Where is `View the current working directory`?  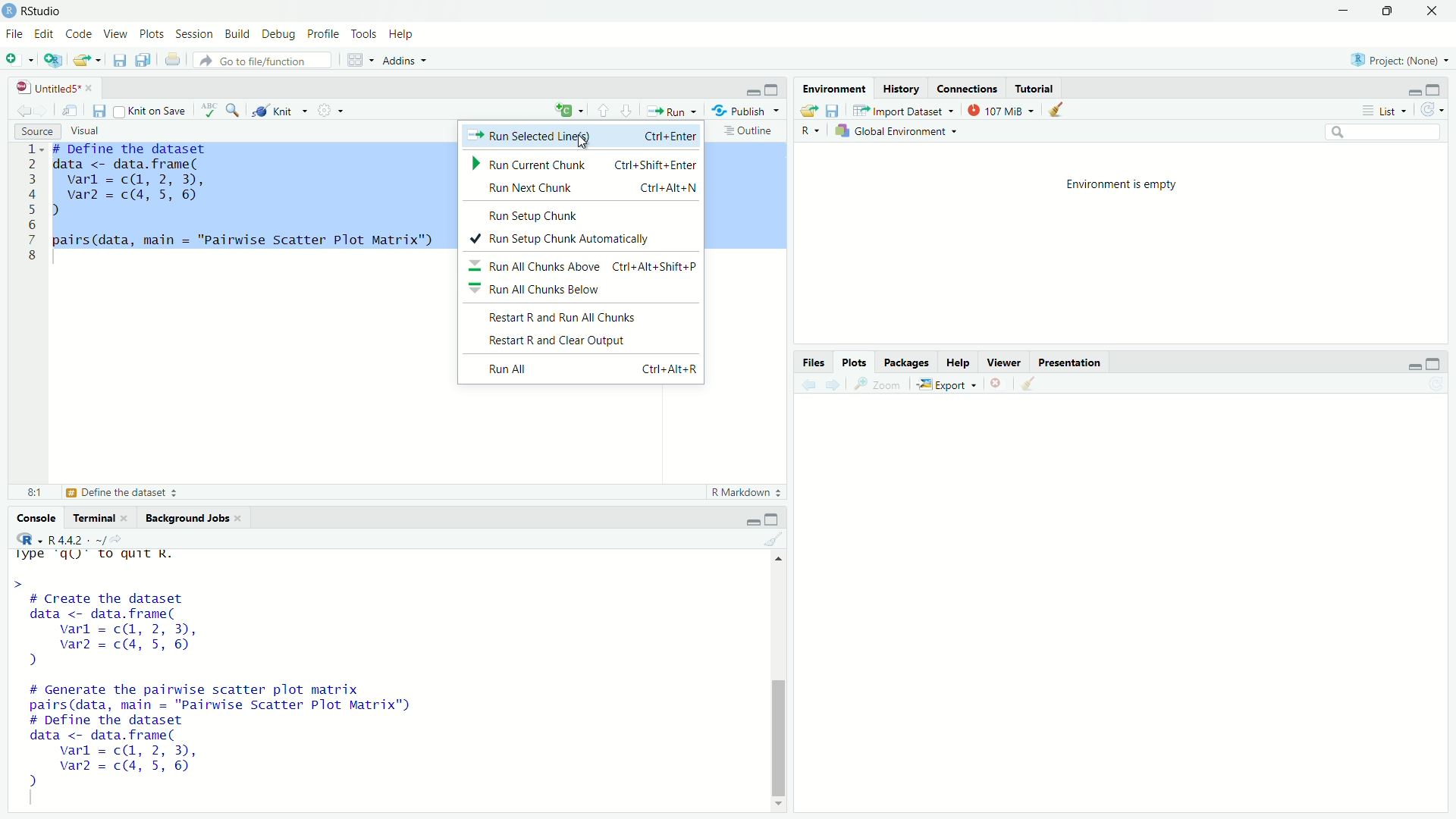 View the current working directory is located at coordinates (118, 537).